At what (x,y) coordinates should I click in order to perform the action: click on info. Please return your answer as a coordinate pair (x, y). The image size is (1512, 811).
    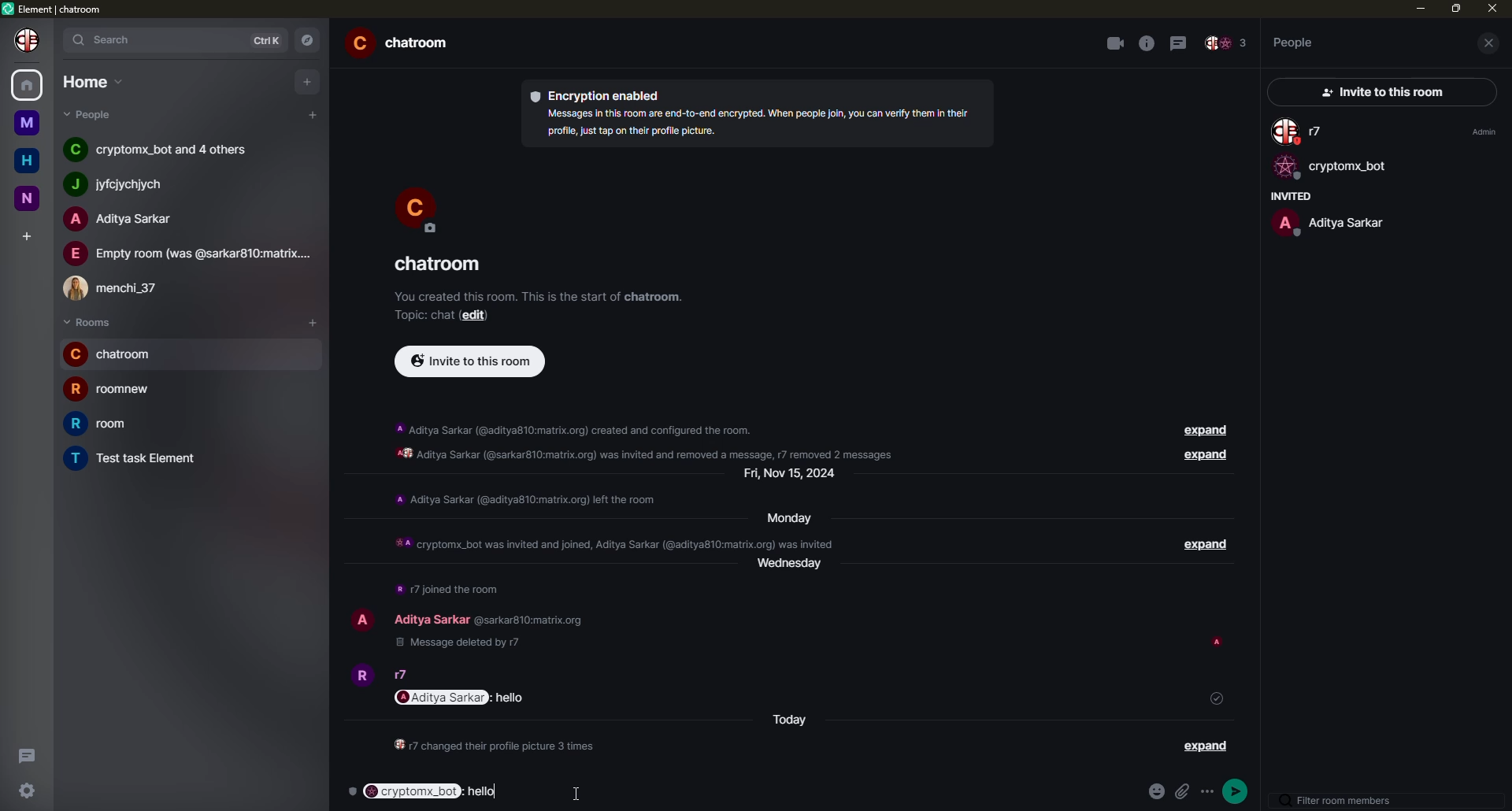
    Looking at the image, I should click on (1147, 43).